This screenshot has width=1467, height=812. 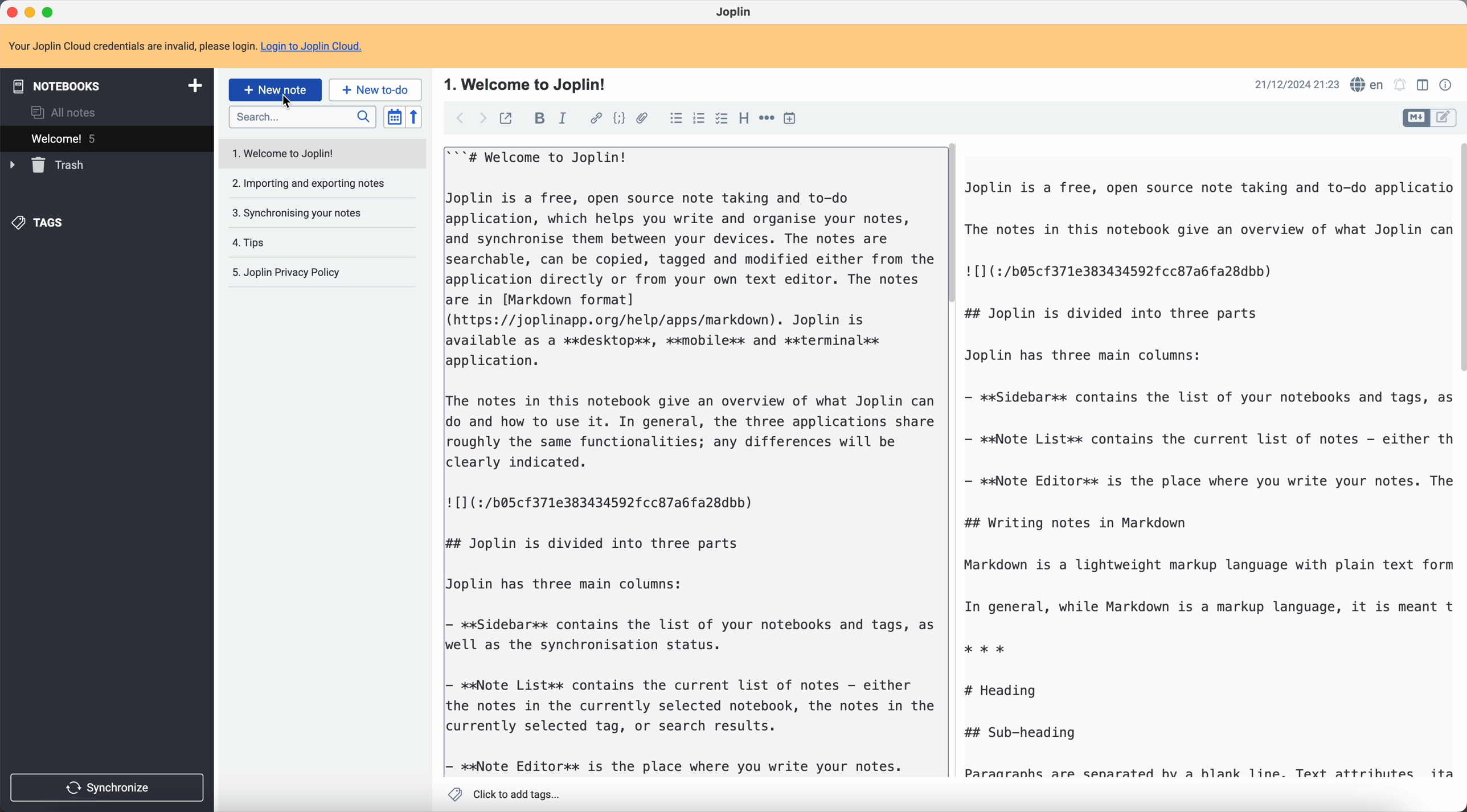 I want to click on tags, so click(x=40, y=223).